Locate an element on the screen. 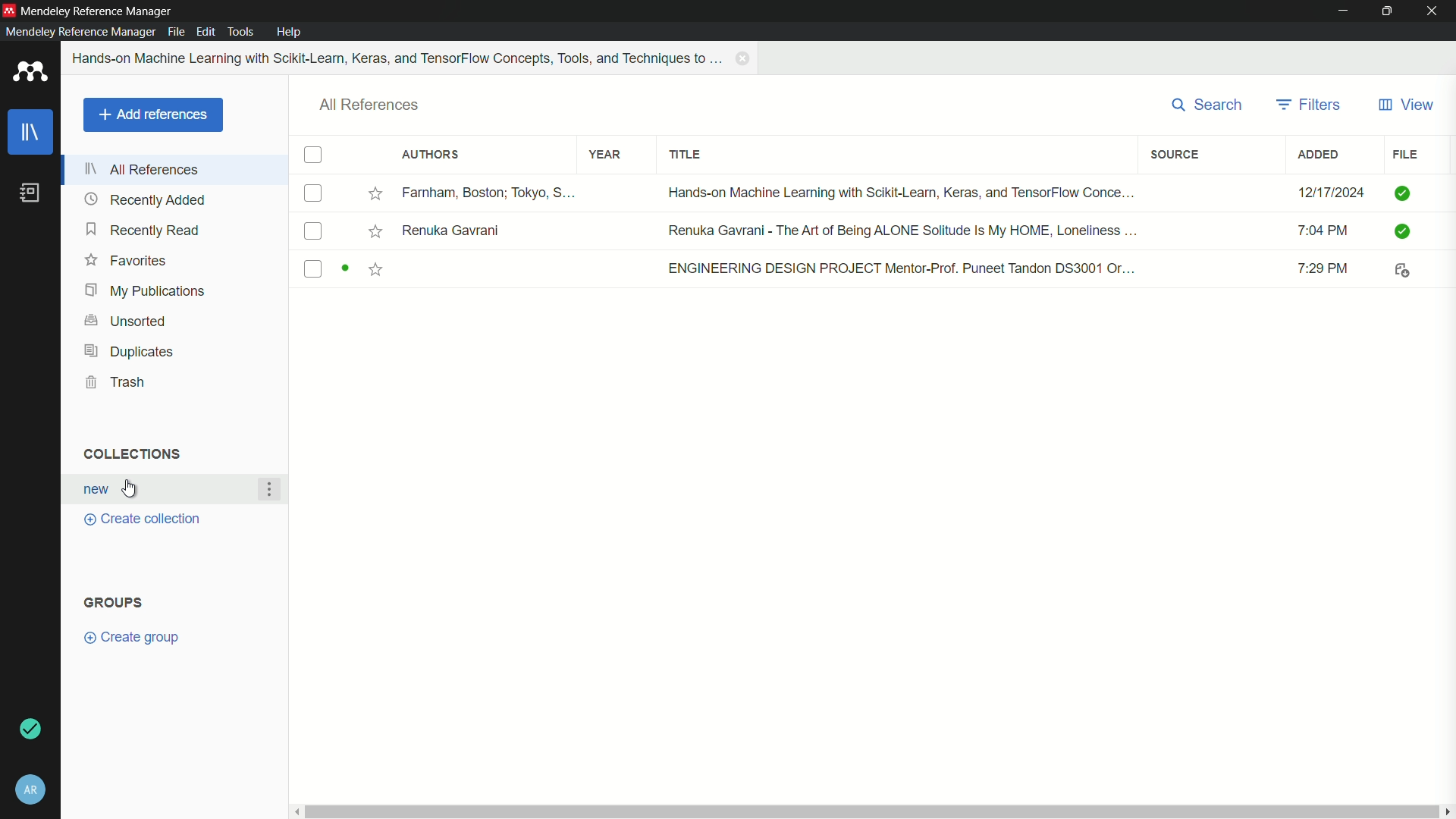  app icon is located at coordinates (9, 11).